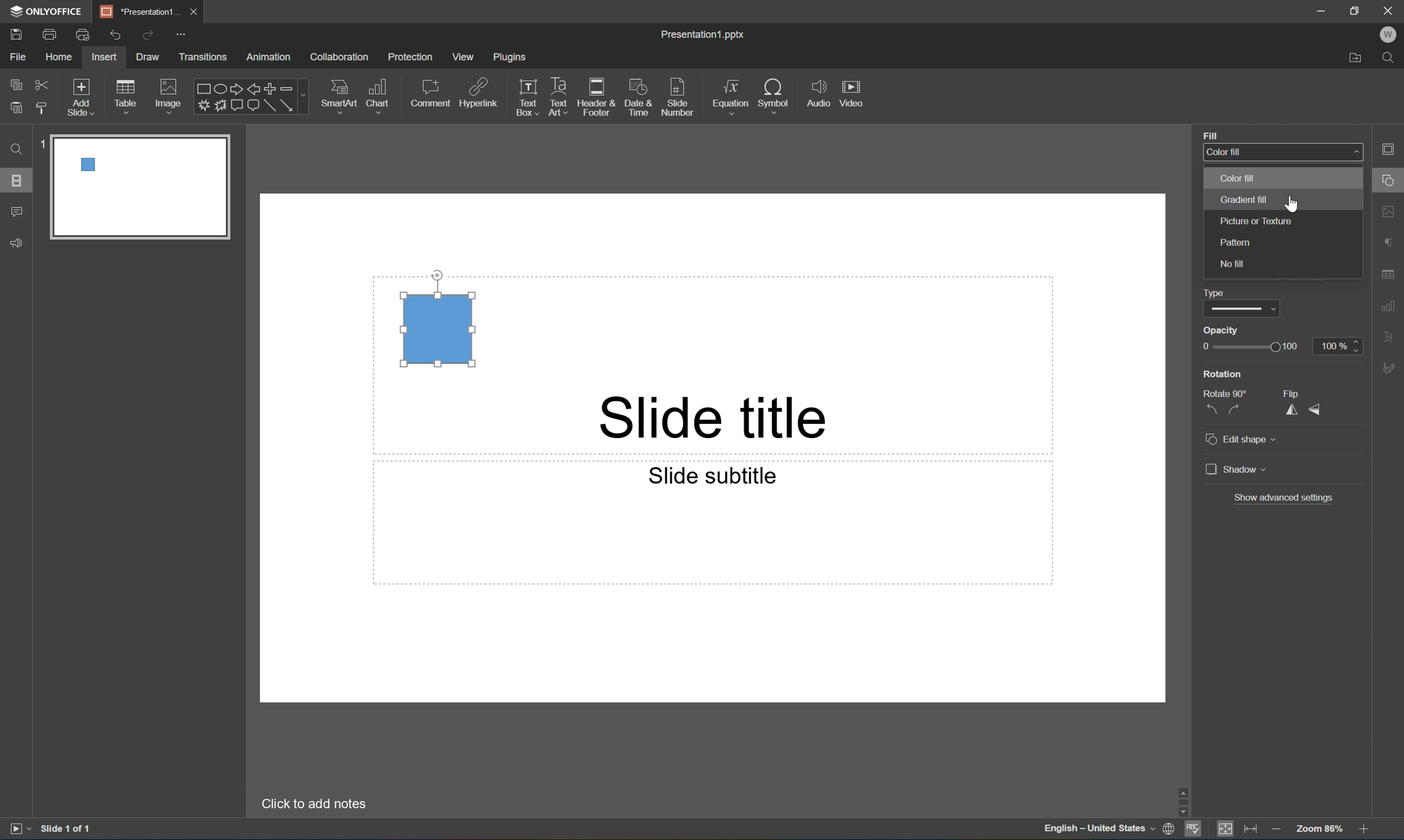 The image size is (1404, 840). I want to click on Draw, so click(149, 57).